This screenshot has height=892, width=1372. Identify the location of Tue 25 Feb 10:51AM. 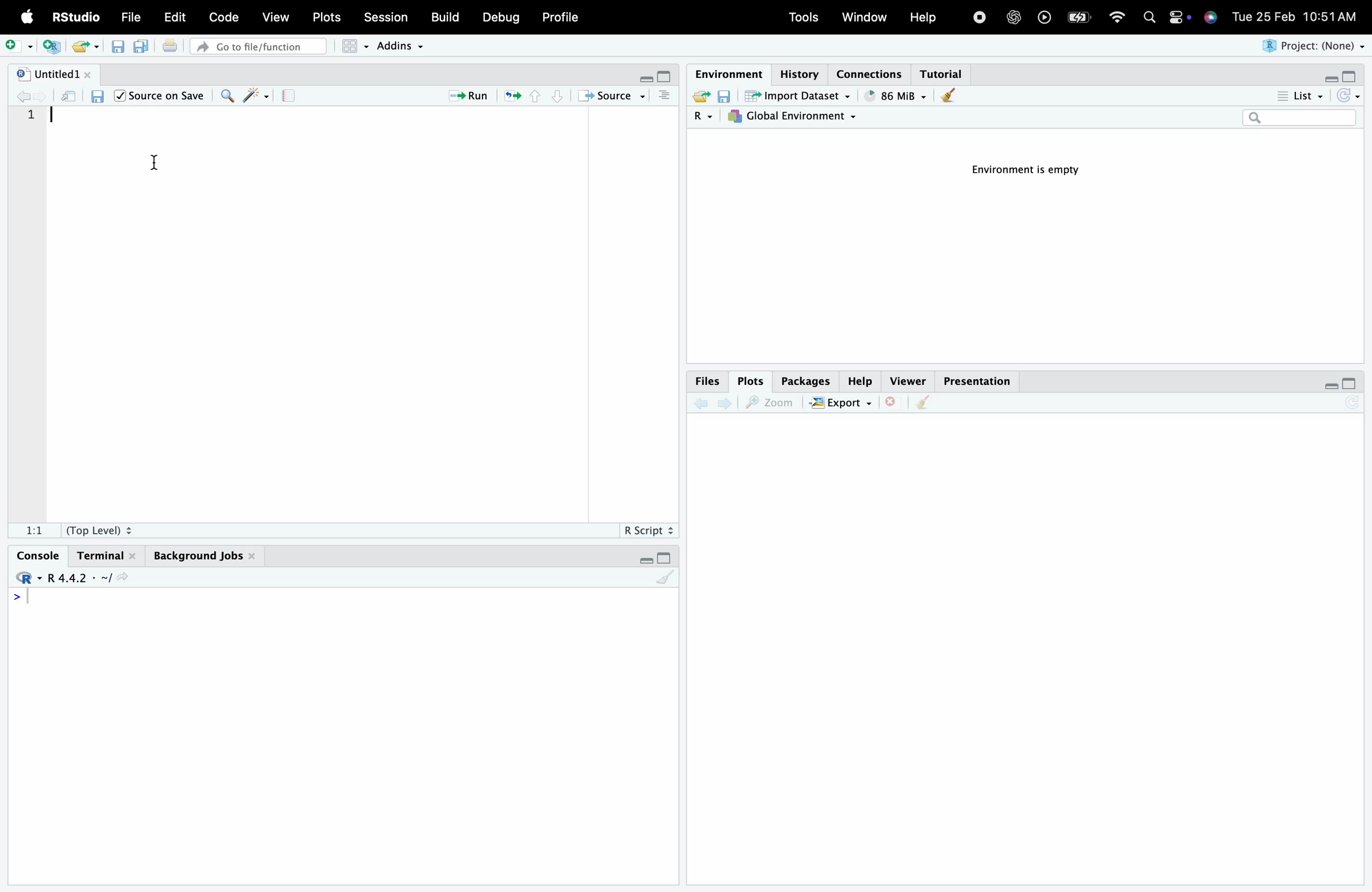
(1299, 16).